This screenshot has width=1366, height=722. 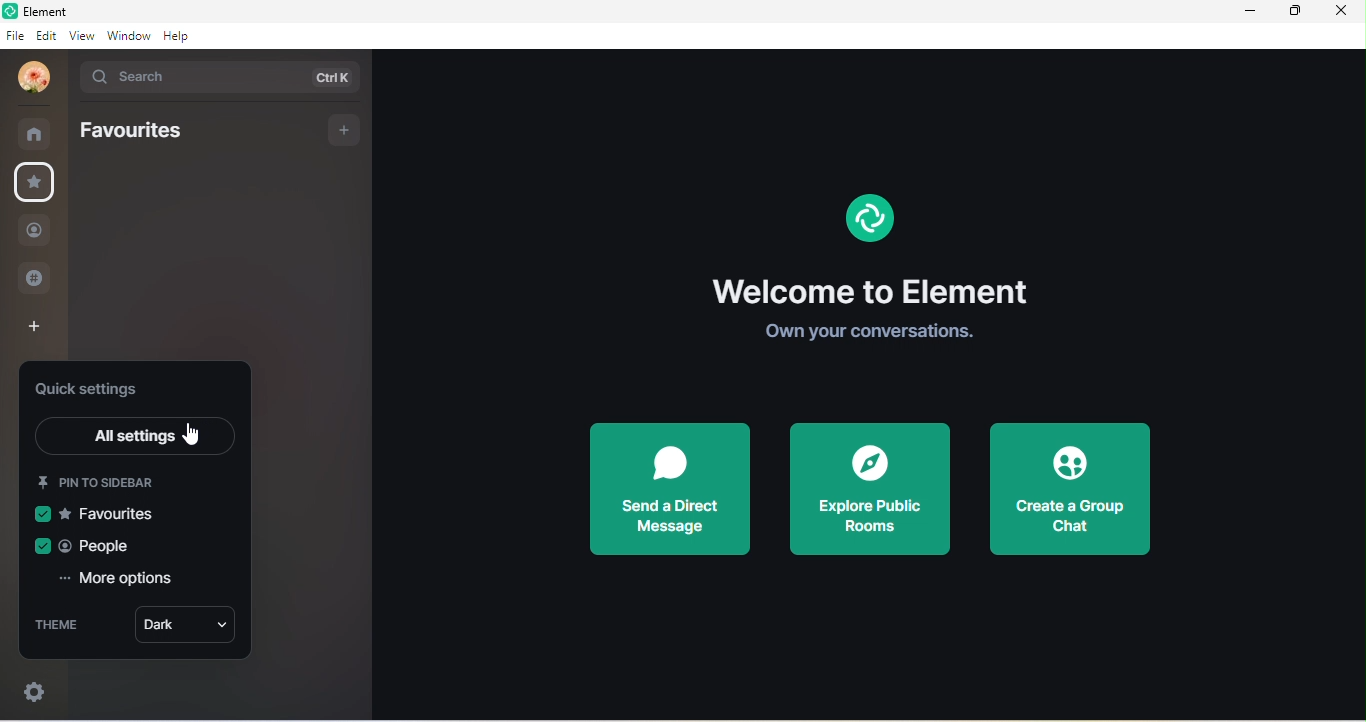 I want to click on edit, so click(x=46, y=36).